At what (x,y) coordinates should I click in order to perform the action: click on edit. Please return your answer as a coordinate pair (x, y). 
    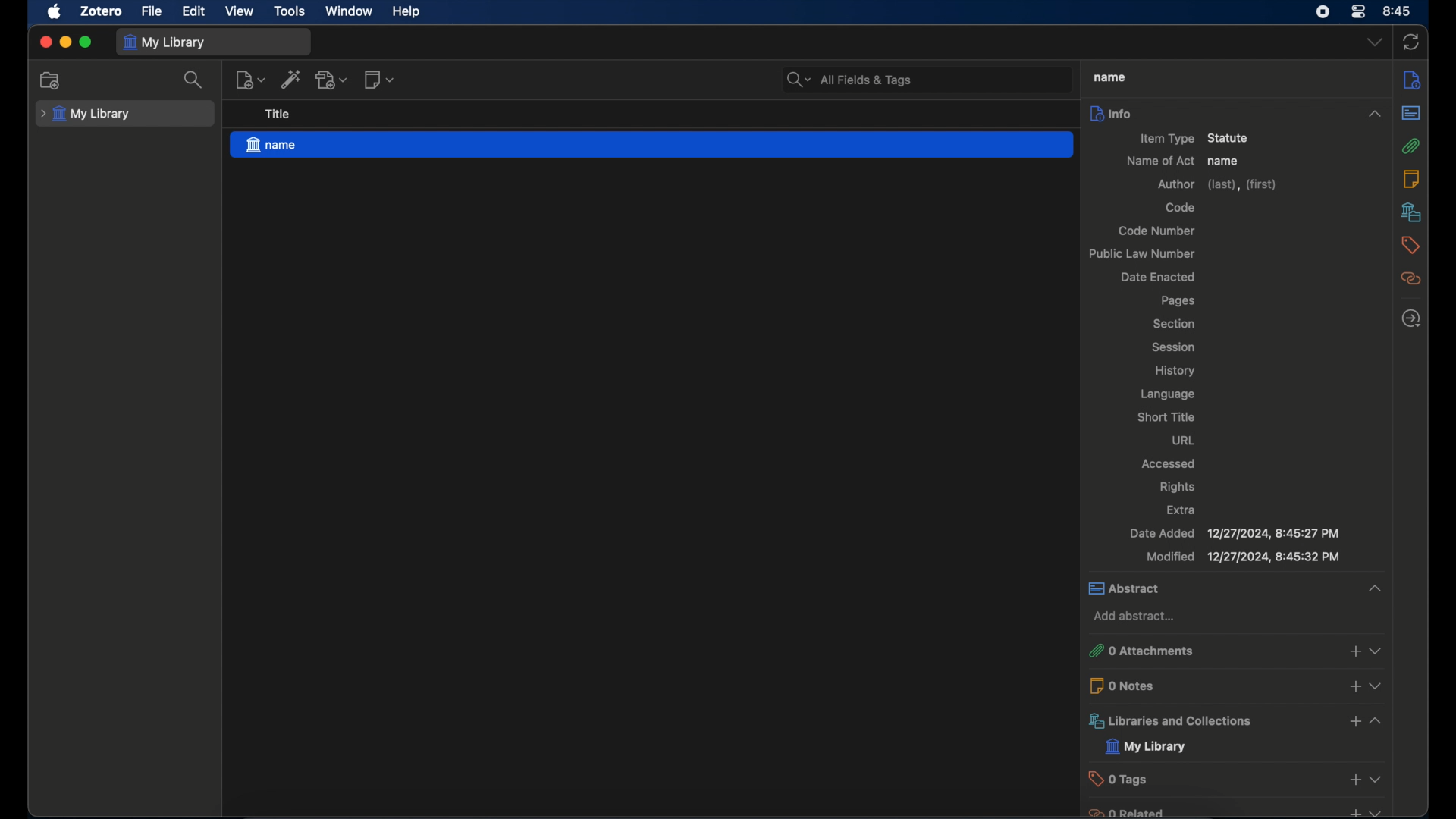
    Looking at the image, I should click on (192, 12).